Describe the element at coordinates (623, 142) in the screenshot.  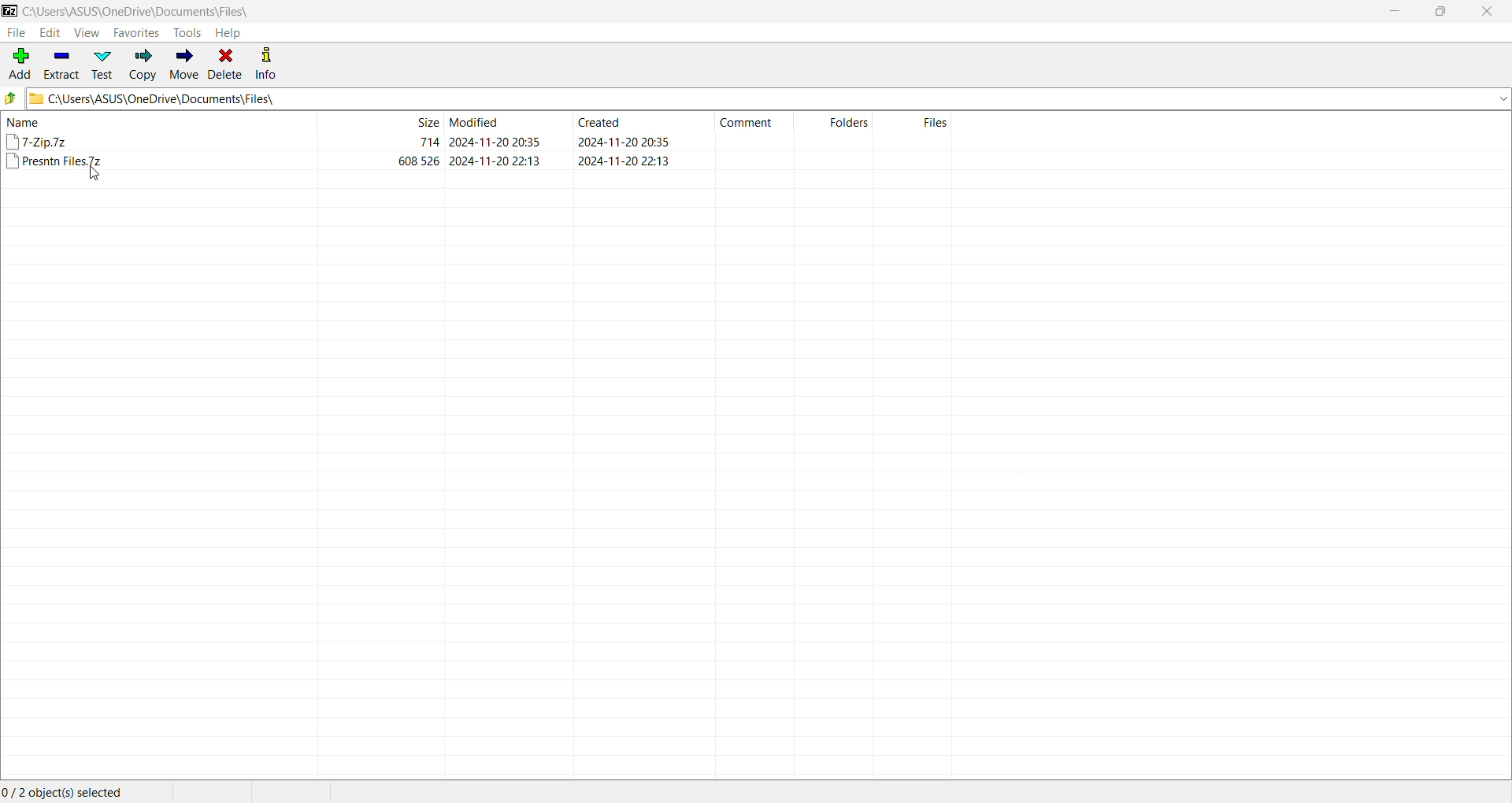
I see `created date & time` at that location.